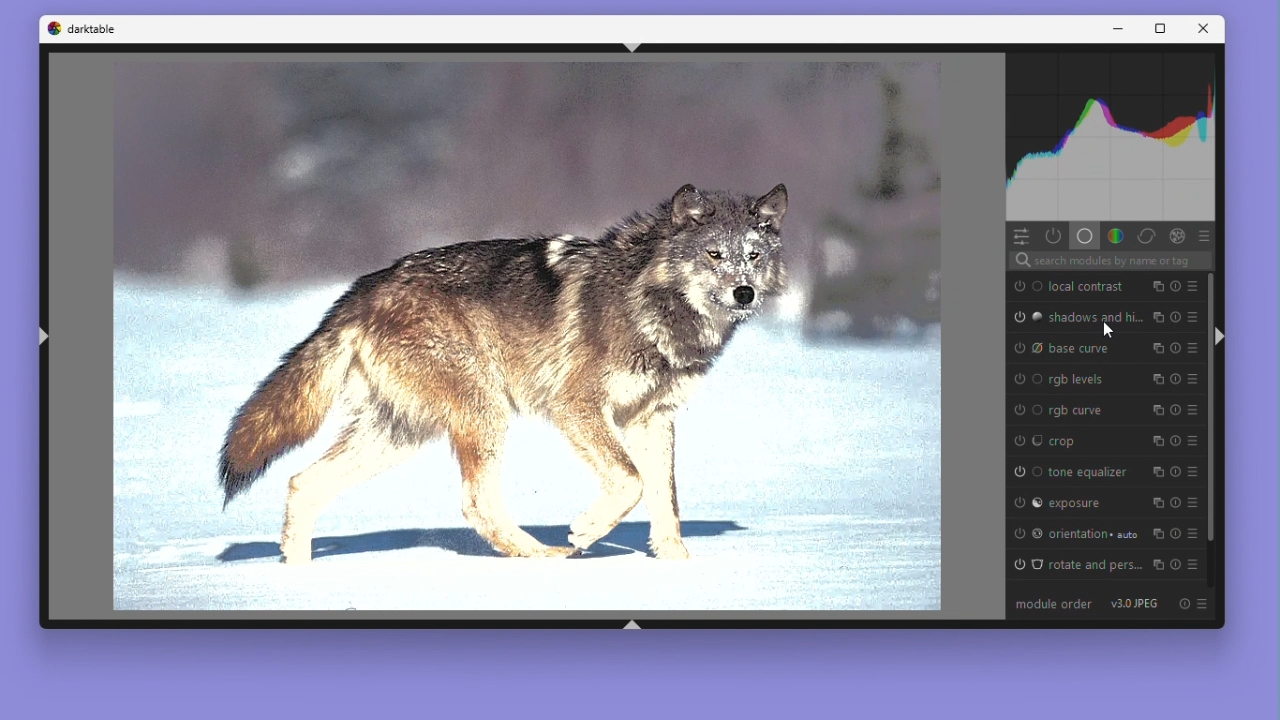 The height and width of the screenshot is (720, 1280). What do you see at coordinates (1193, 317) in the screenshot?
I see `presets` at bounding box center [1193, 317].